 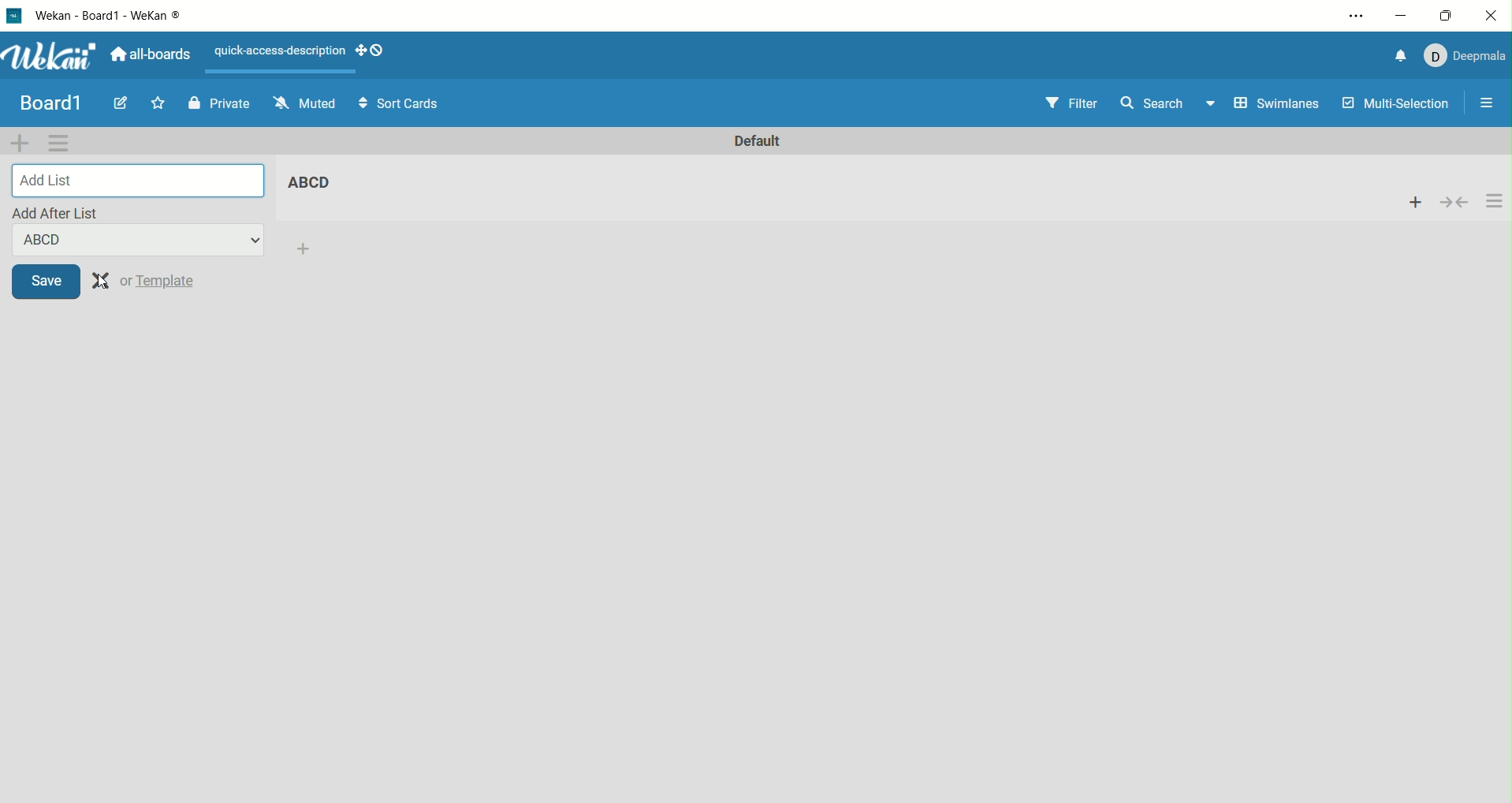 What do you see at coordinates (1492, 100) in the screenshot?
I see `open/close sidebar` at bounding box center [1492, 100].